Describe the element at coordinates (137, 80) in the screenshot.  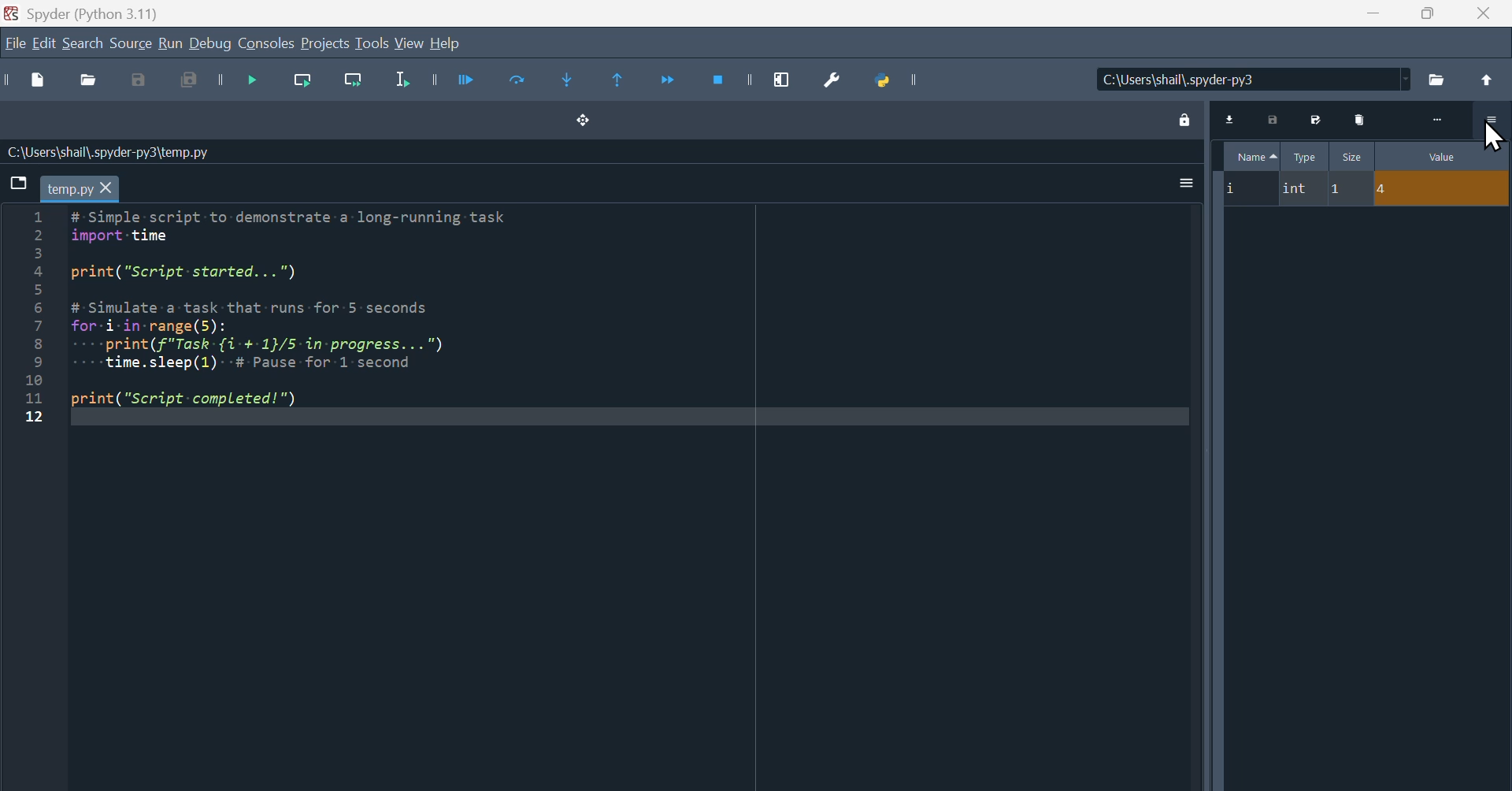
I see `Save as` at that location.